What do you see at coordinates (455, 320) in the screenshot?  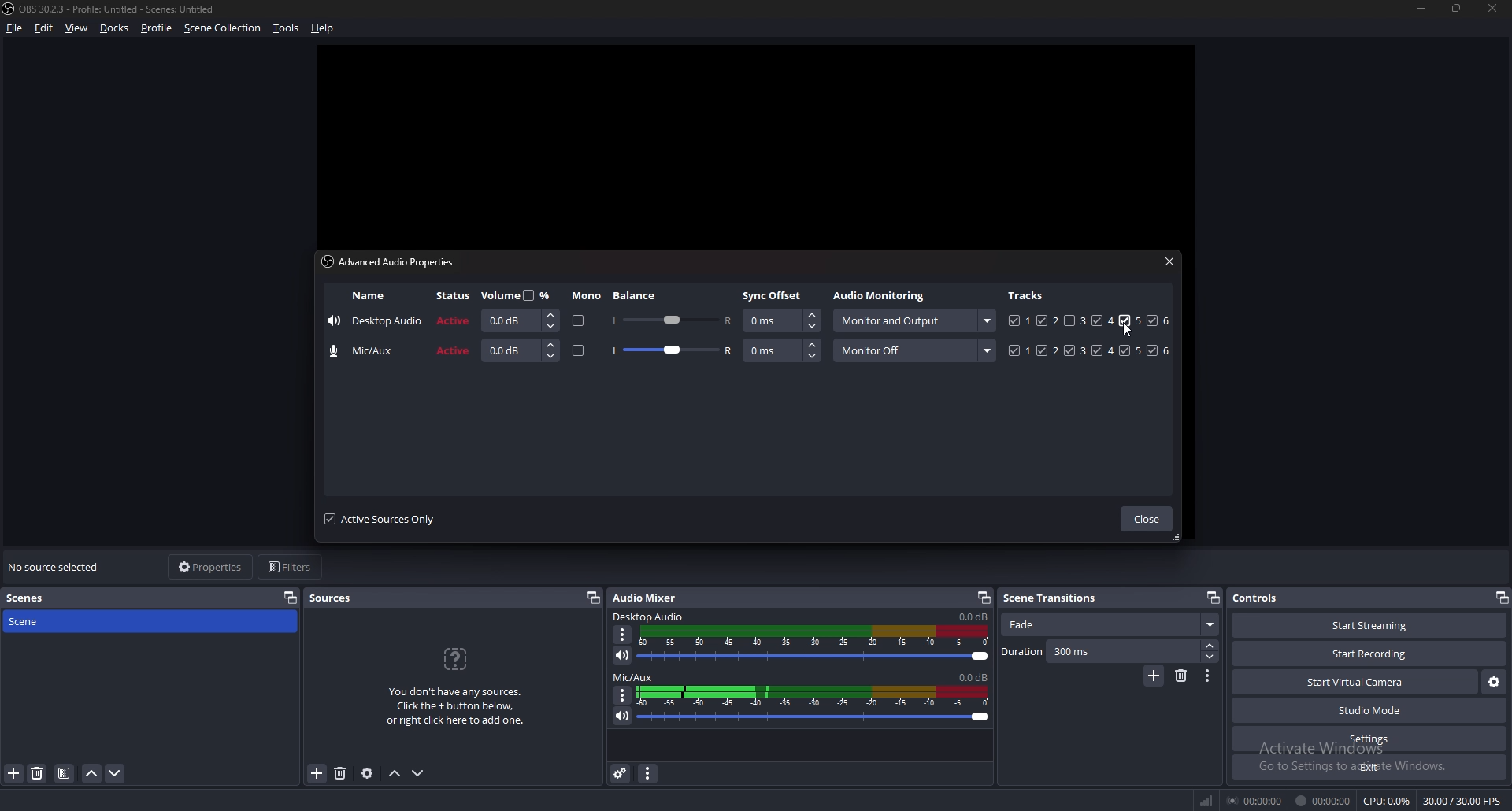 I see `active` at bounding box center [455, 320].